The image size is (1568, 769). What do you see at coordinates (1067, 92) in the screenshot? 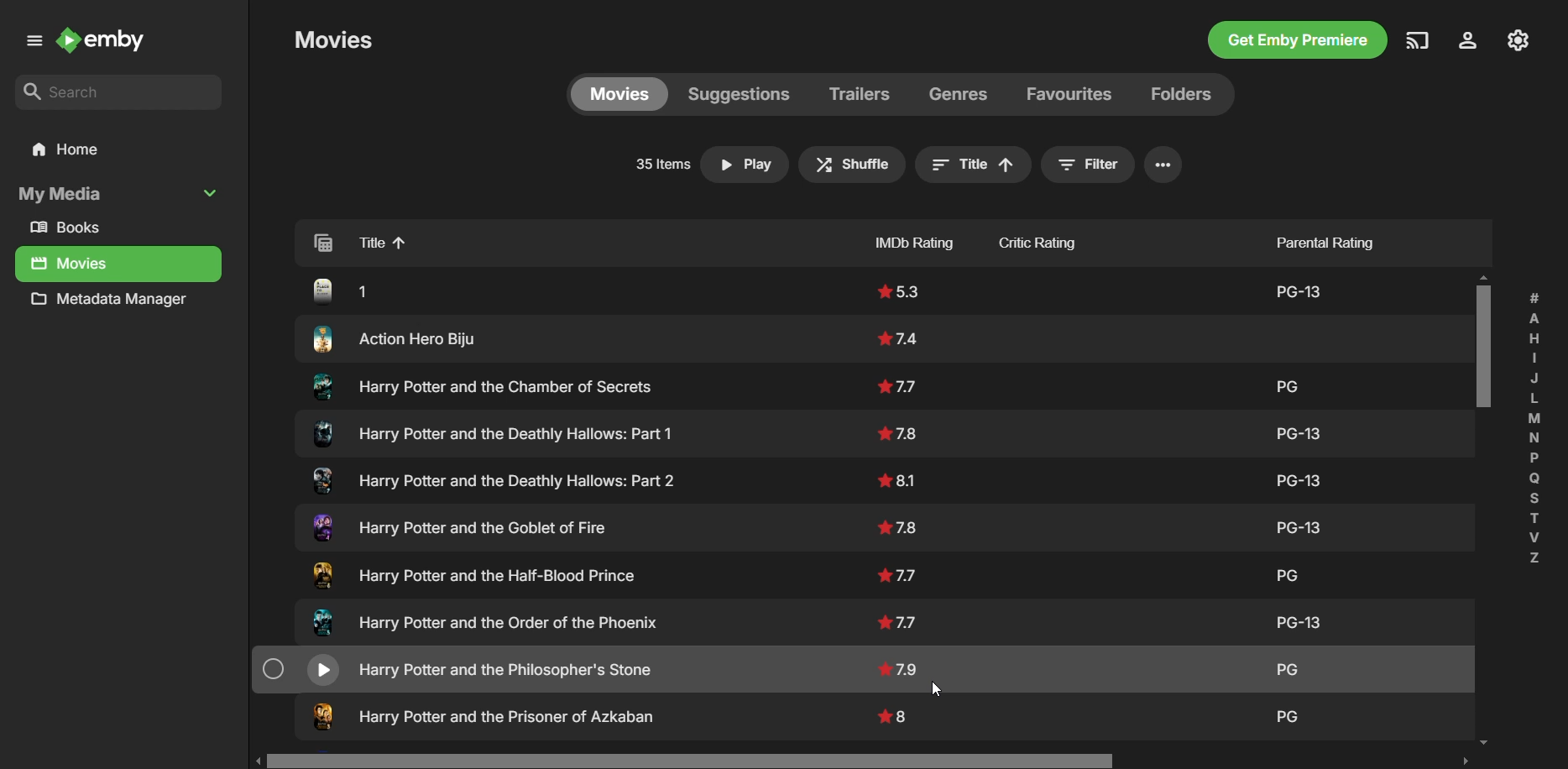
I see `Favorites` at bounding box center [1067, 92].